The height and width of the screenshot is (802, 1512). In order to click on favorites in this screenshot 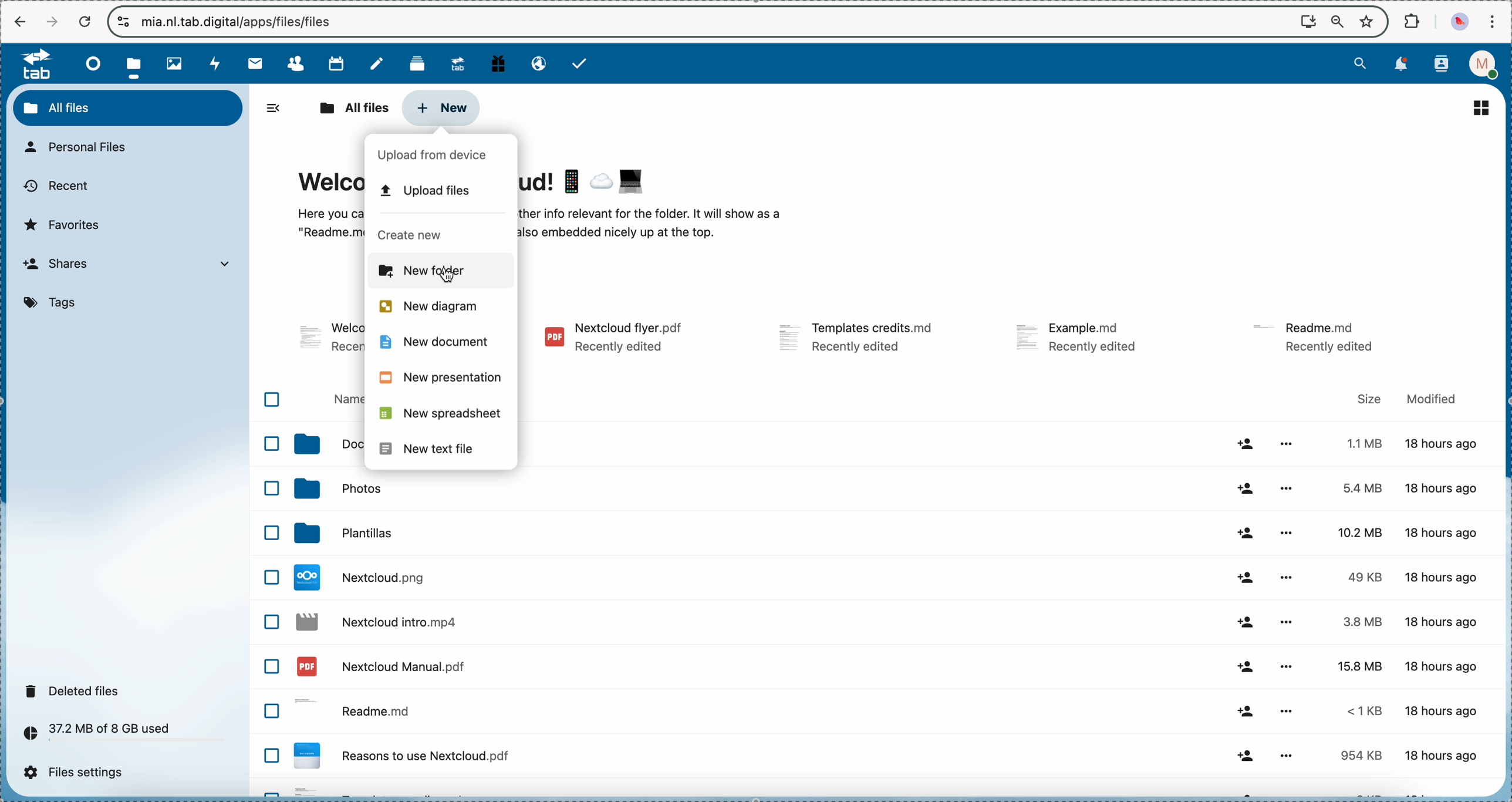, I will do `click(66, 224)`.